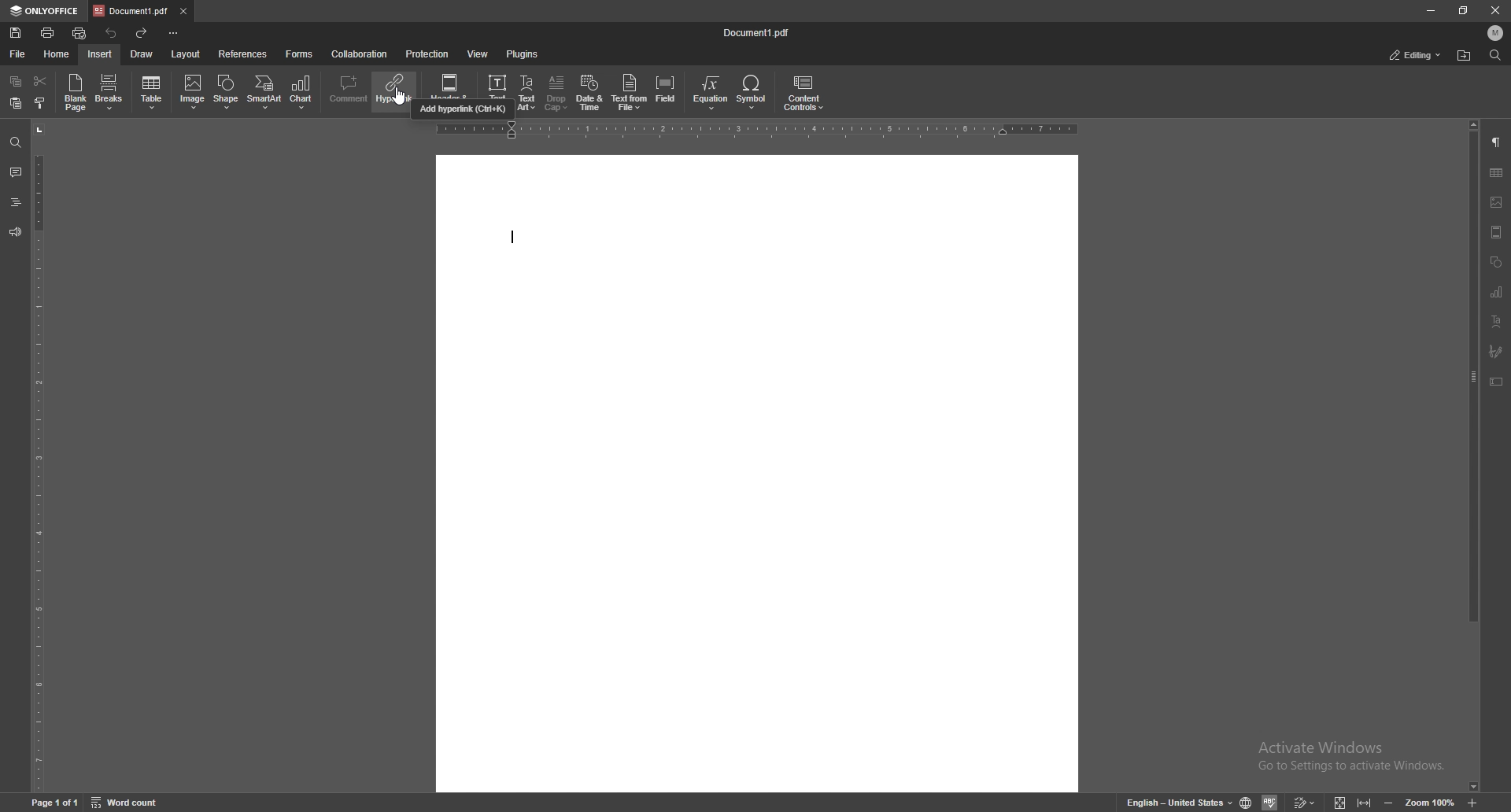 This screenshot has height=812, width=1511. Describe the element at coordinates (183, 12) in the screenshot. I see `close tab` at that location.